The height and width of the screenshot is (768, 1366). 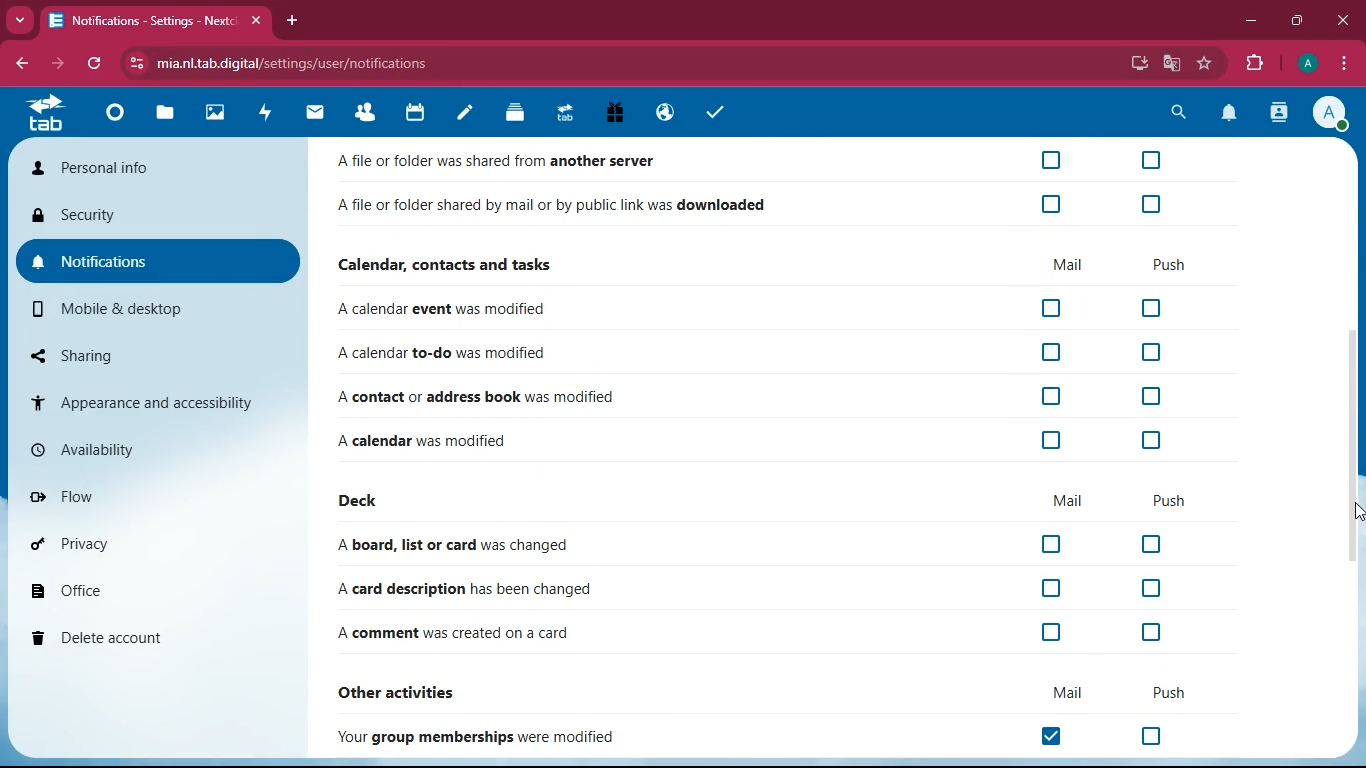 I want to click on vertical Scrollbar, so click(x=1353, y=448).